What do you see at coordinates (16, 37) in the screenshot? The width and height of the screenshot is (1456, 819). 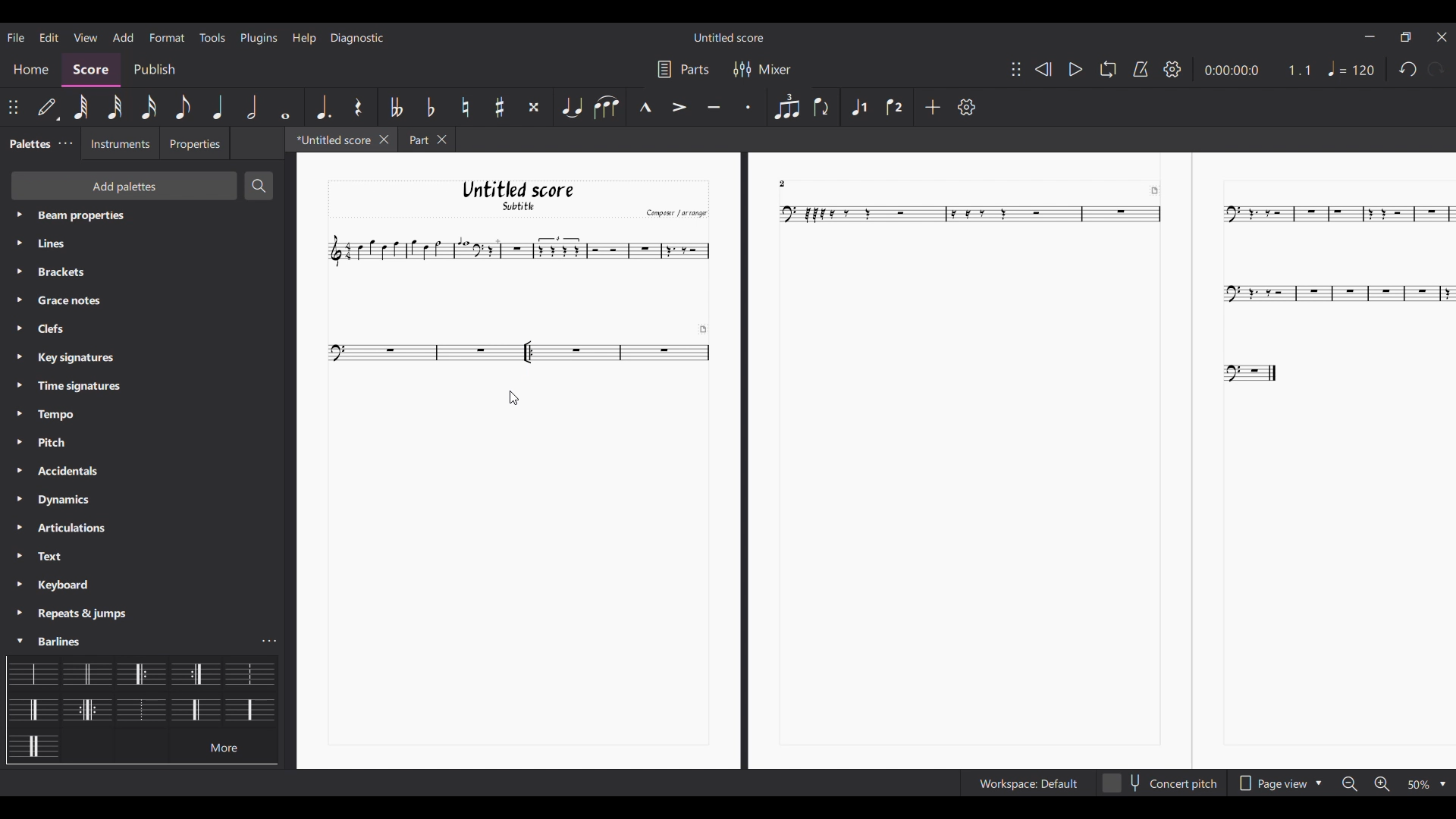 I see `File menu ` at bounding box center [16, 37].